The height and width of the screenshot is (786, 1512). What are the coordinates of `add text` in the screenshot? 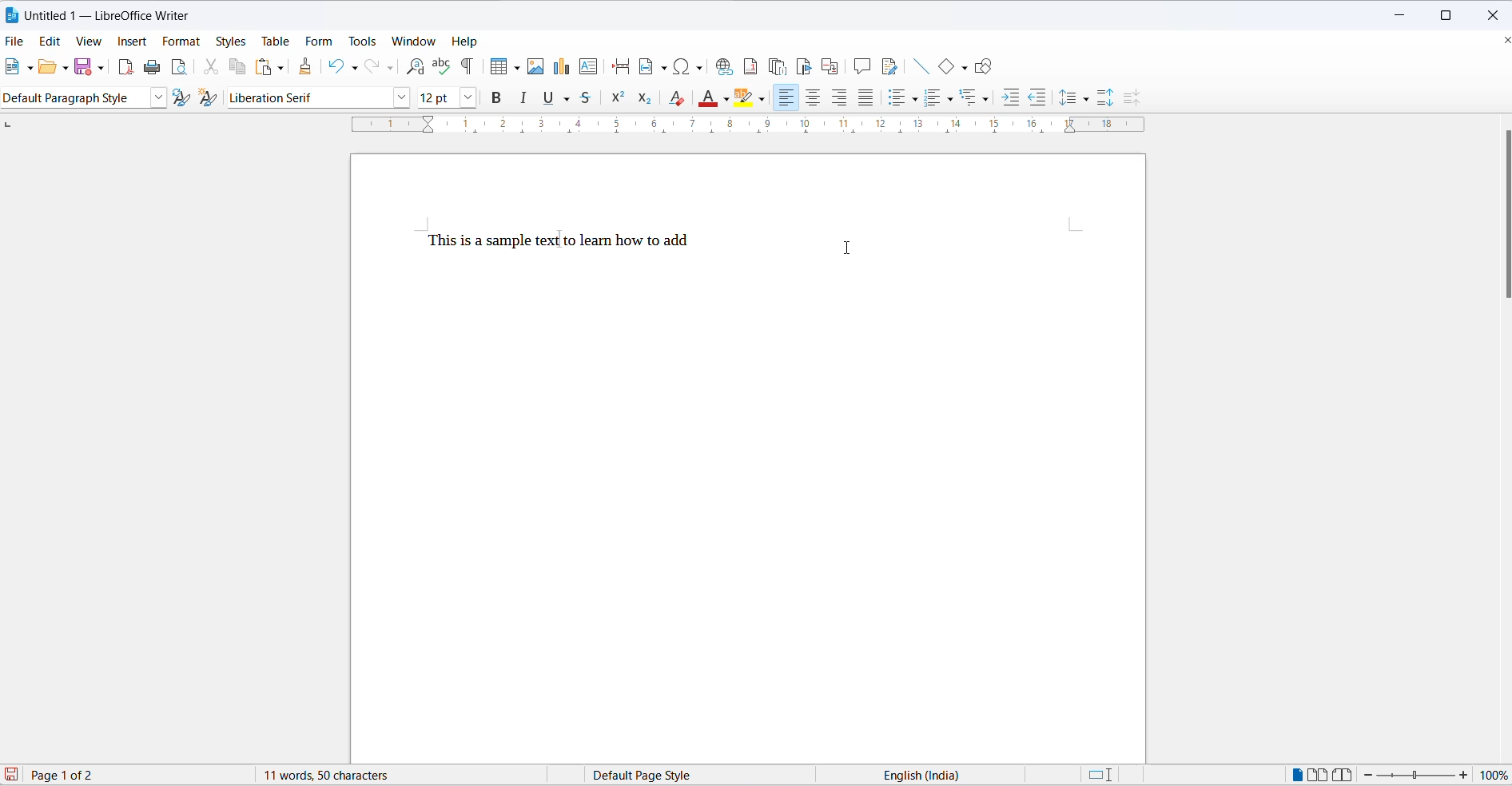 It's located at (591, 67).